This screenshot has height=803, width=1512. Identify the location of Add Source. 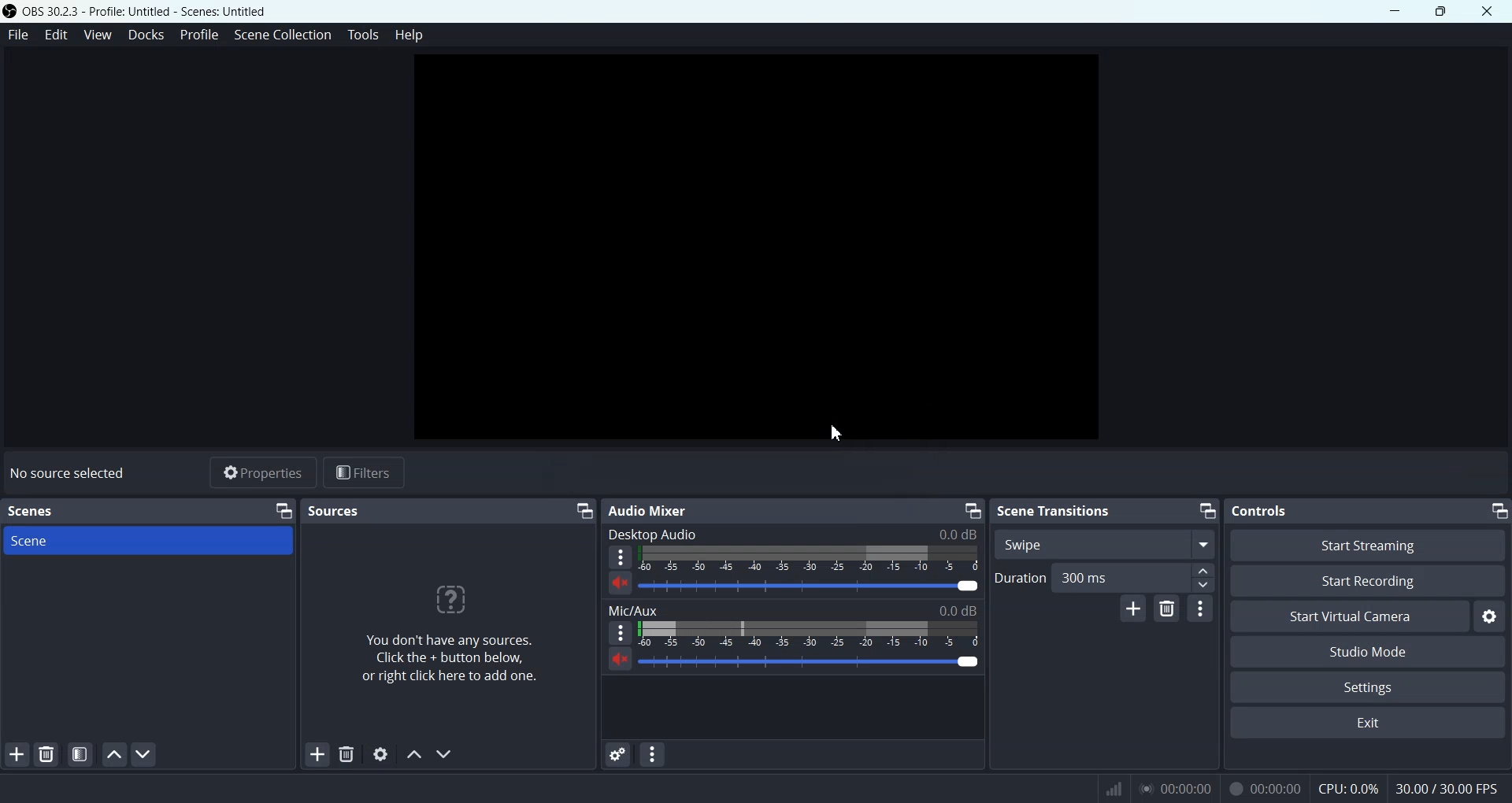
(317, 754).